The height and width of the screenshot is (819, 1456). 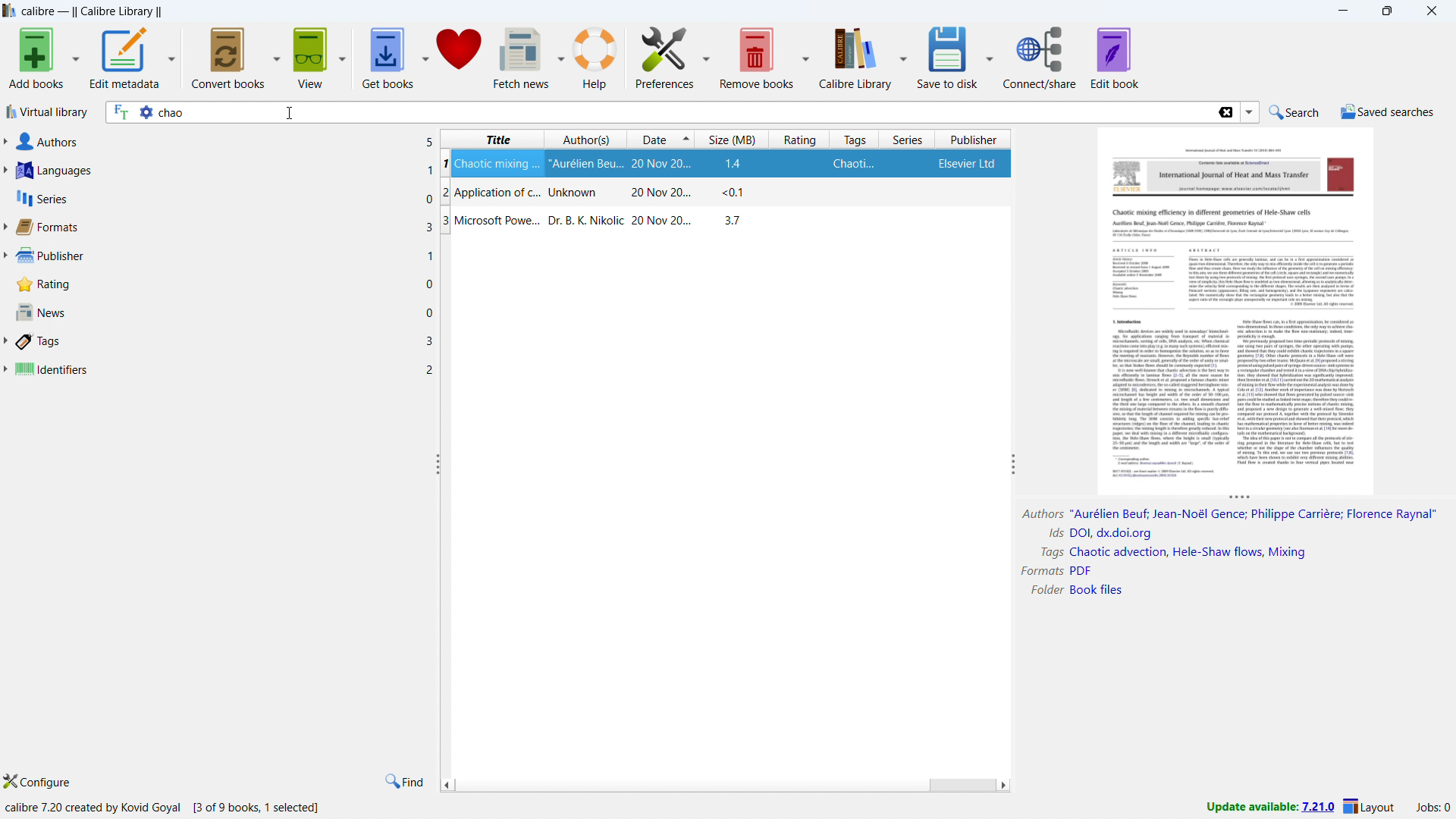 I want to click on expand publisher, so click(x=5, y=256).